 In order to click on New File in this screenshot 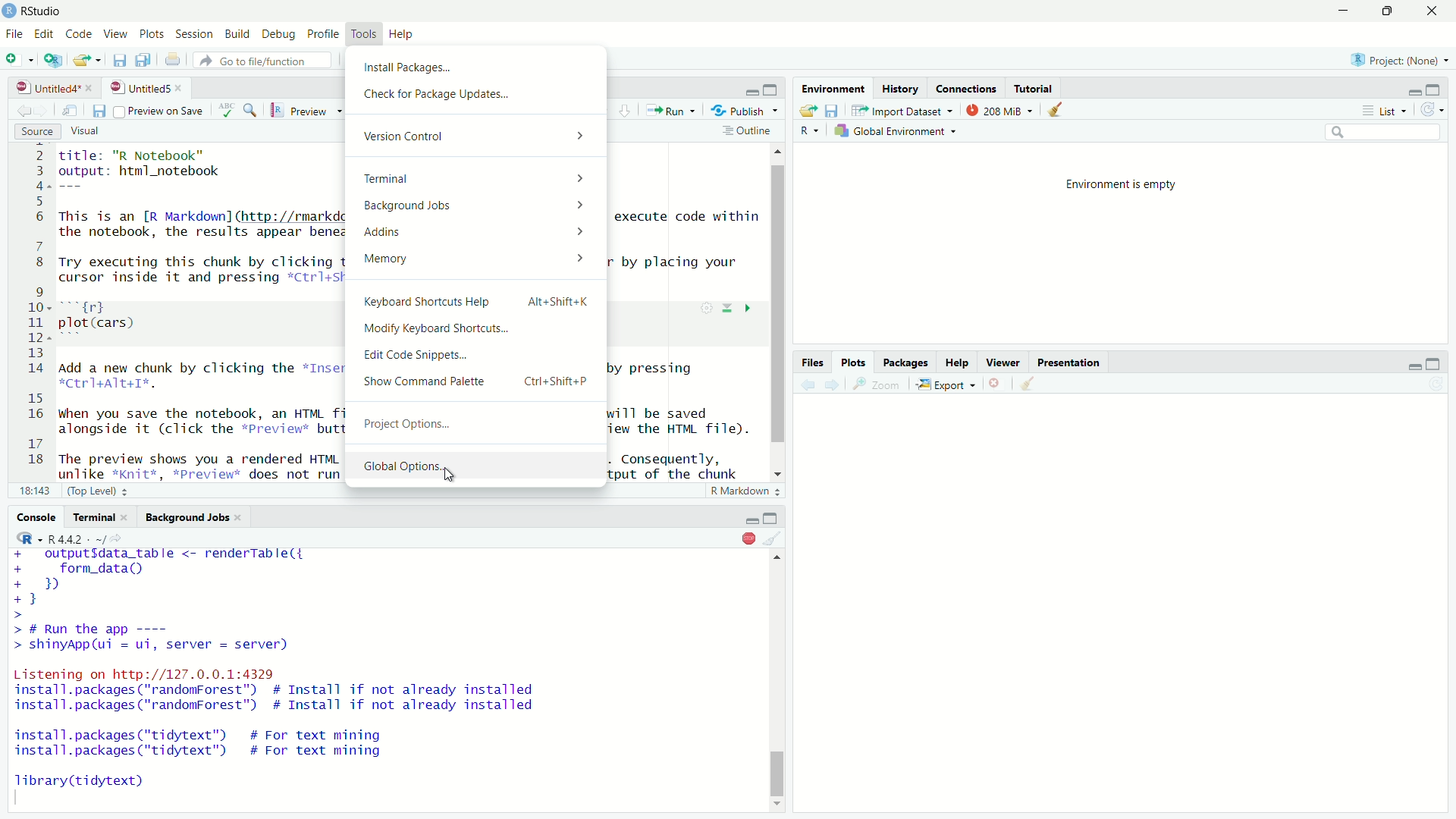, I will do `click(20, 58)`.